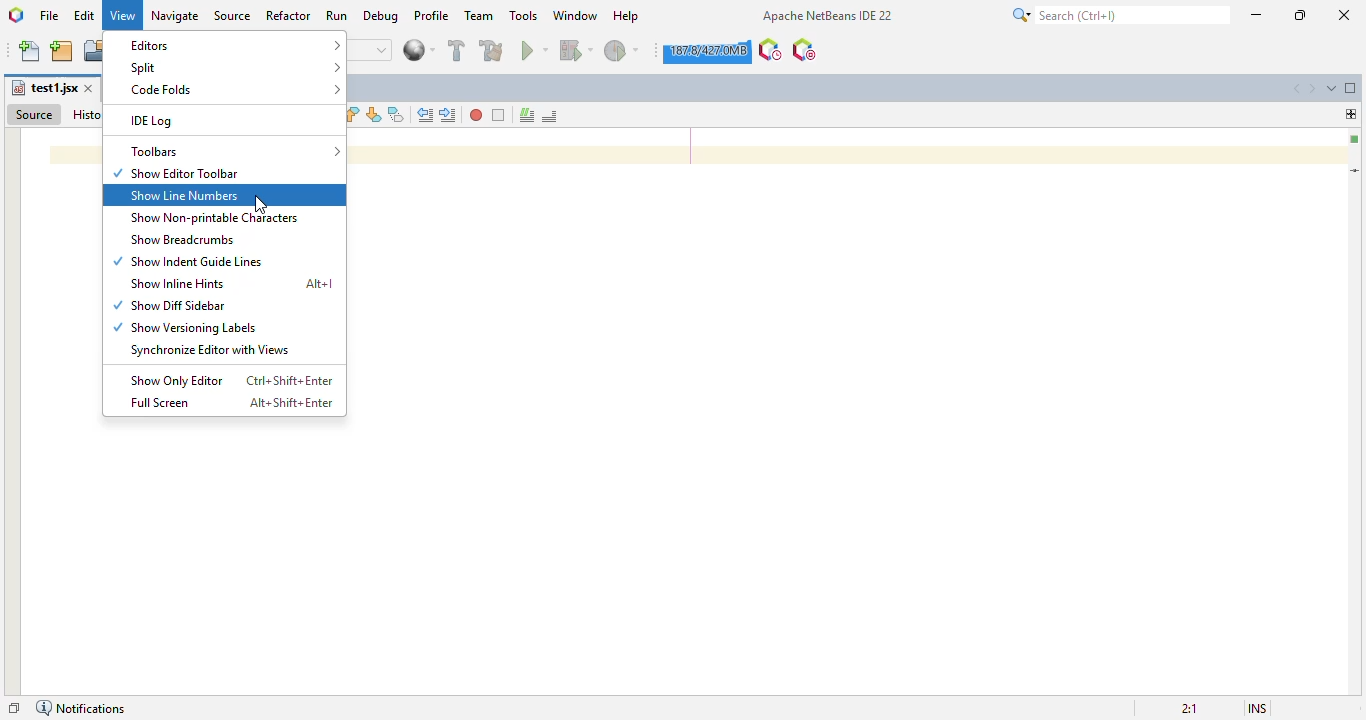 This screenshot has height=720, width=1366. I want to click on insert mode, so click(1258, 708).